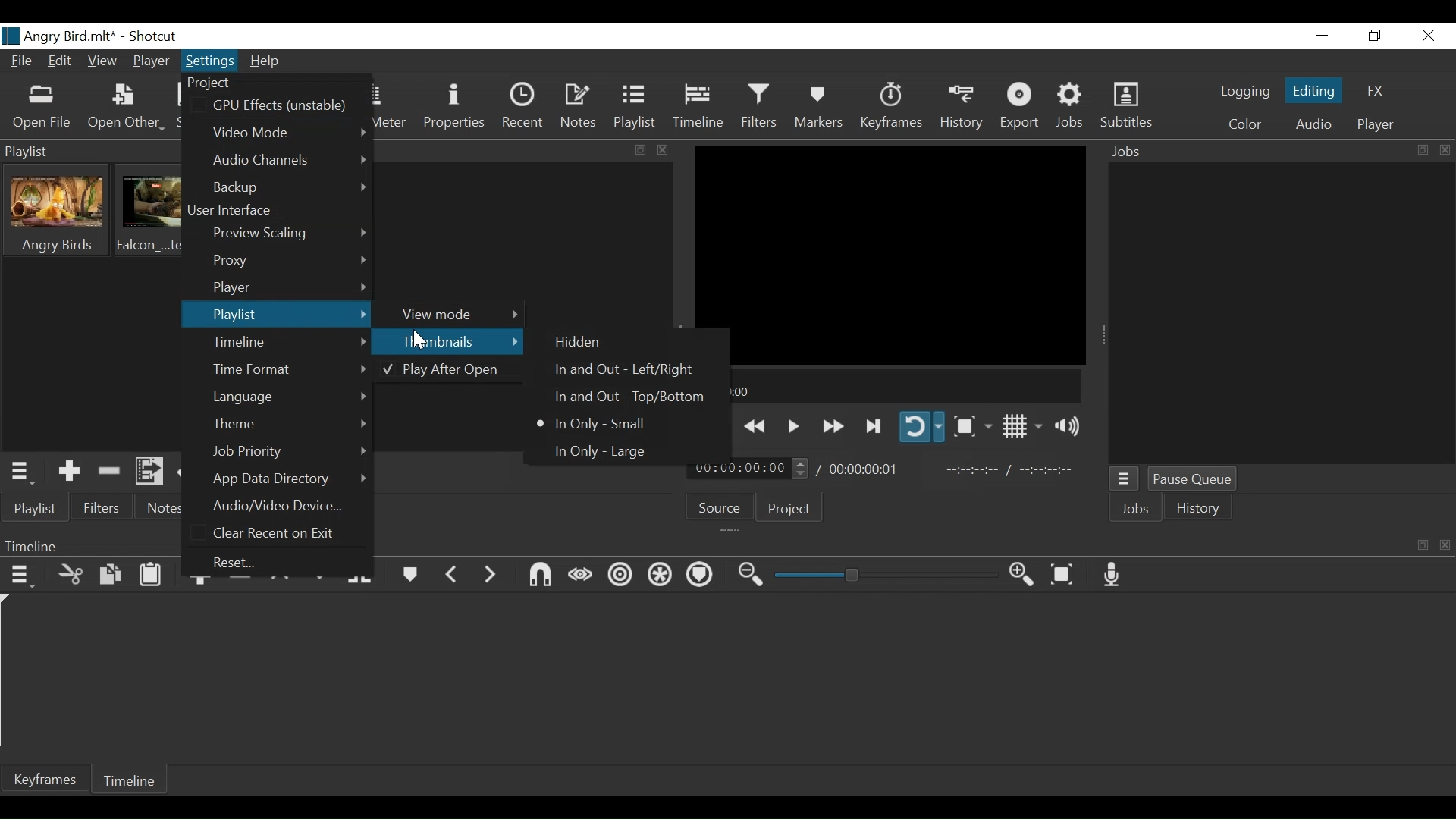  I want to click on In Only -Large, so click(600, 450).